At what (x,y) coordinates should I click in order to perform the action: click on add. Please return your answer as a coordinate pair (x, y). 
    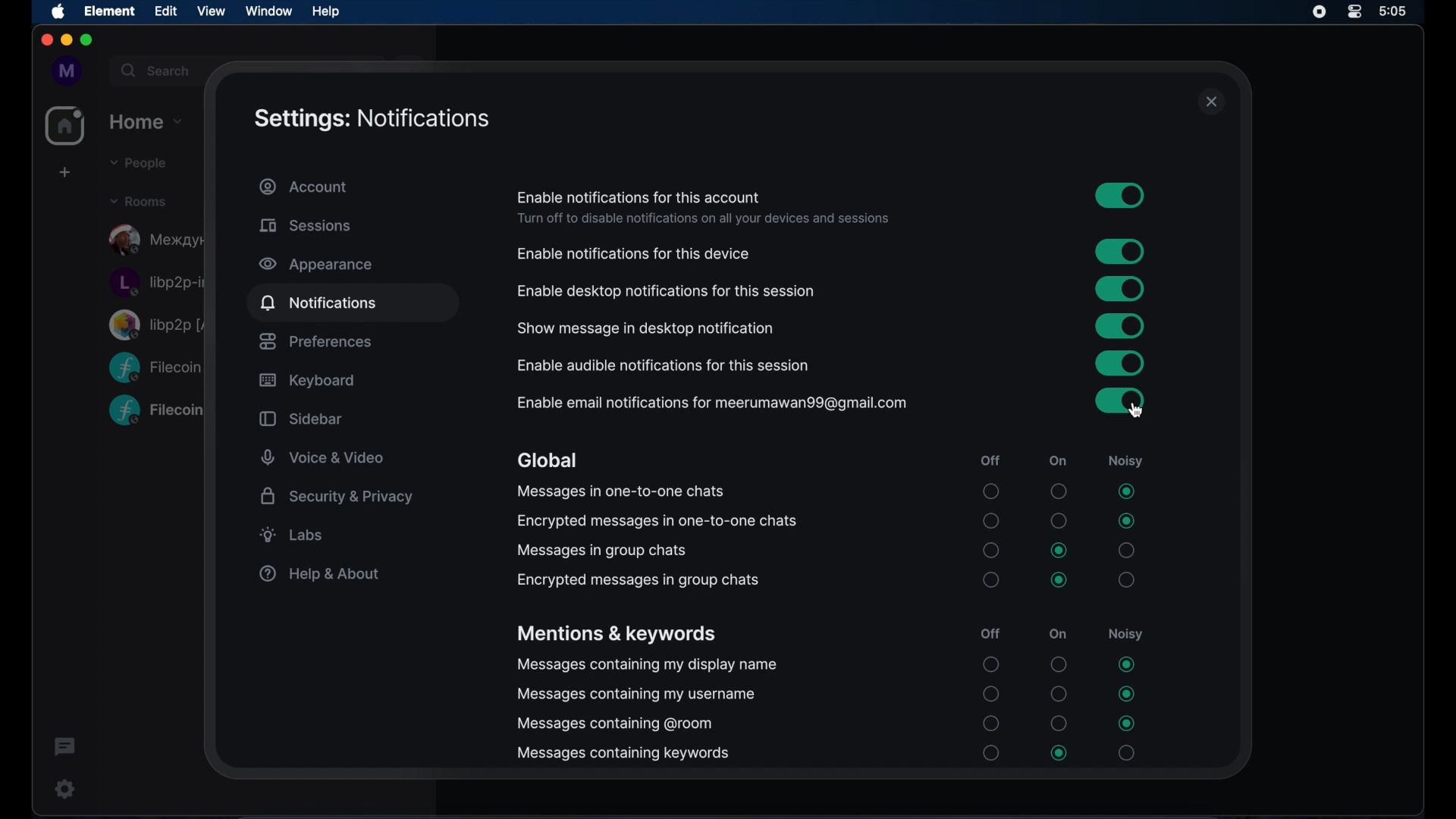
    Looking at the image, I should click on (63, 172).